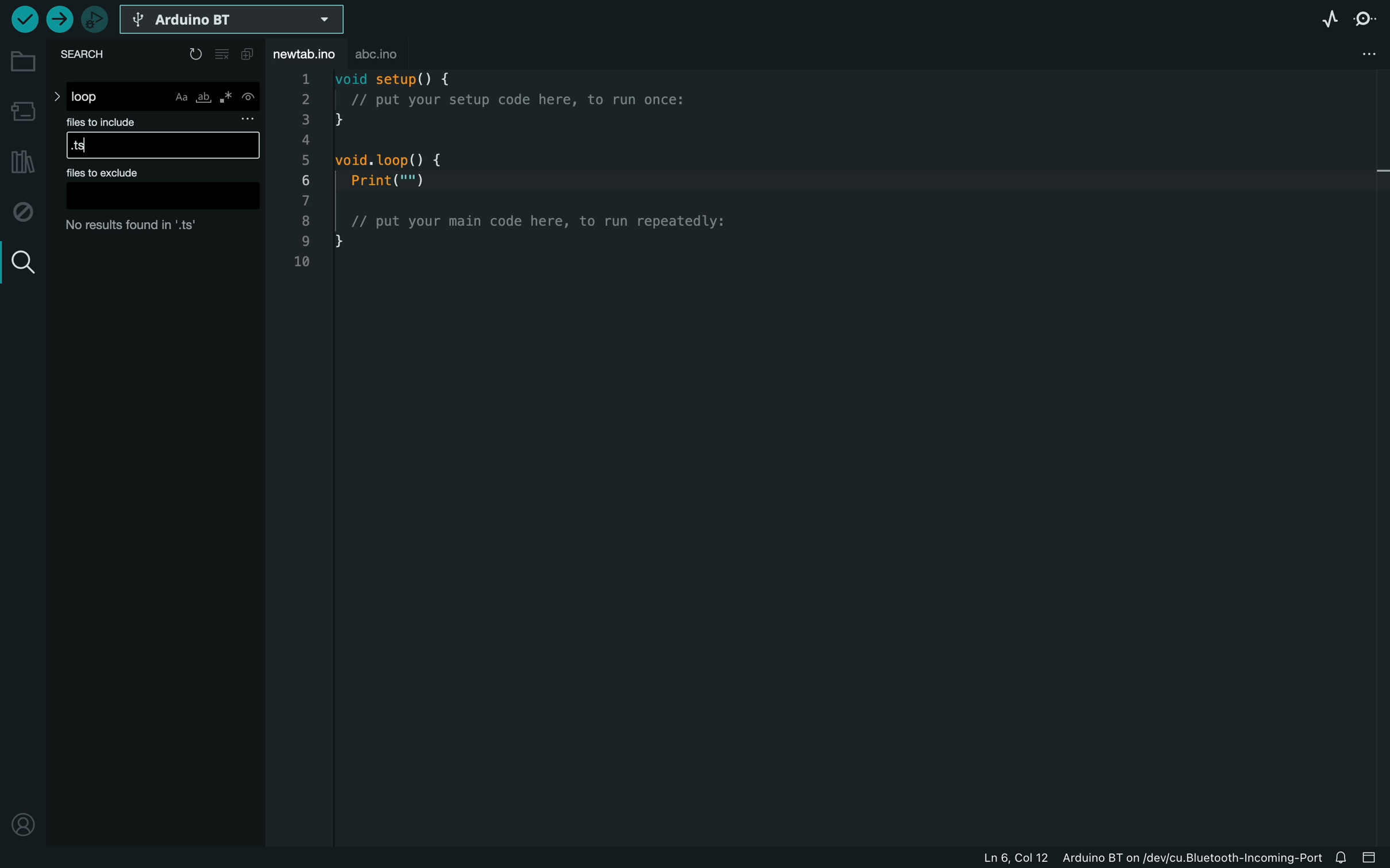 The image size is (1390, 868). Describe the element at coordinates (249, 55) in the screenshot. I see `copy` at that location.